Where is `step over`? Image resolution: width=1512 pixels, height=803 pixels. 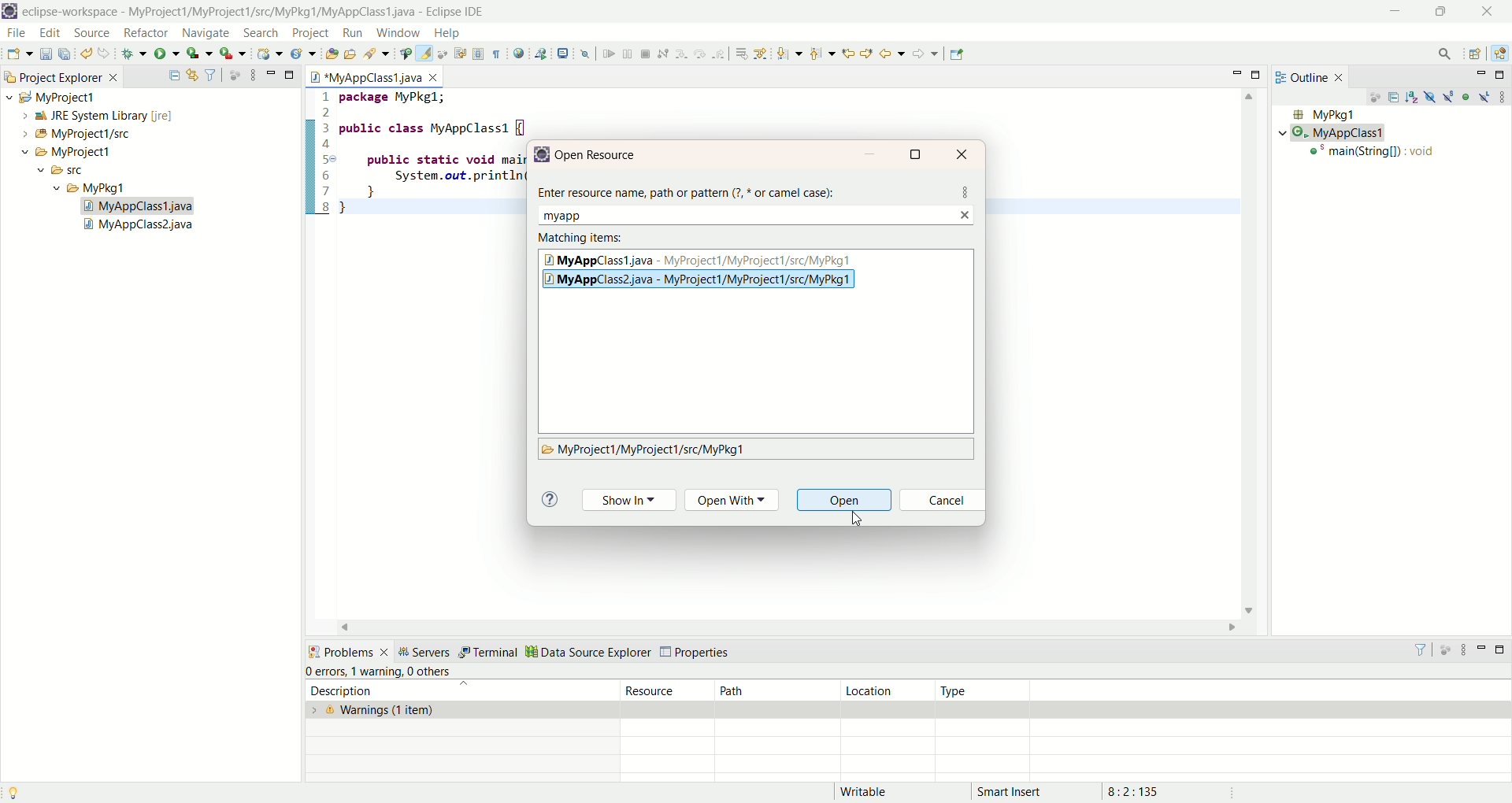 step over is located at coordinates (701, 55).